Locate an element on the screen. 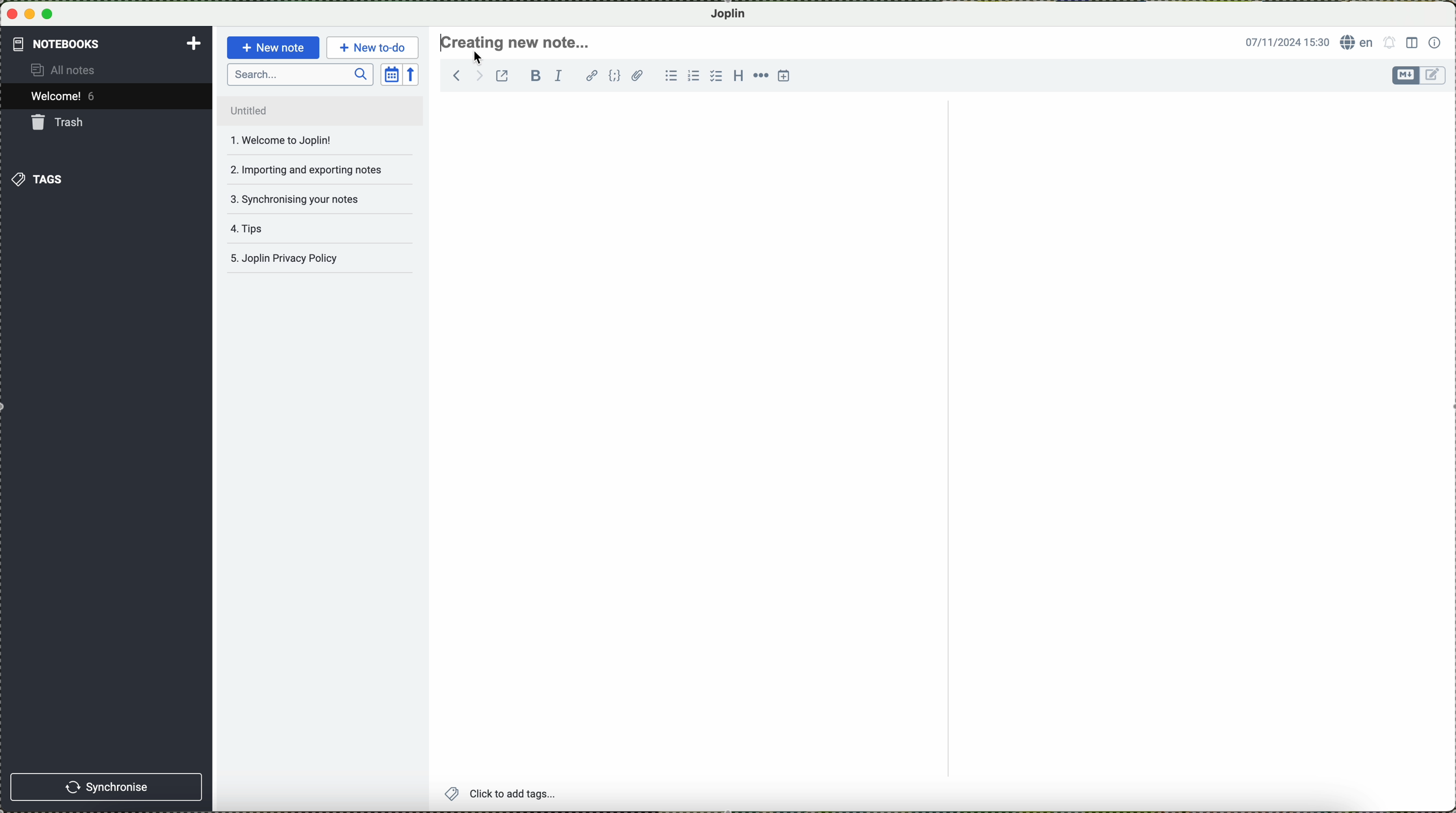 This screenshot has width=1456, height=813. date and hour is located at coordinates (1283, 41).